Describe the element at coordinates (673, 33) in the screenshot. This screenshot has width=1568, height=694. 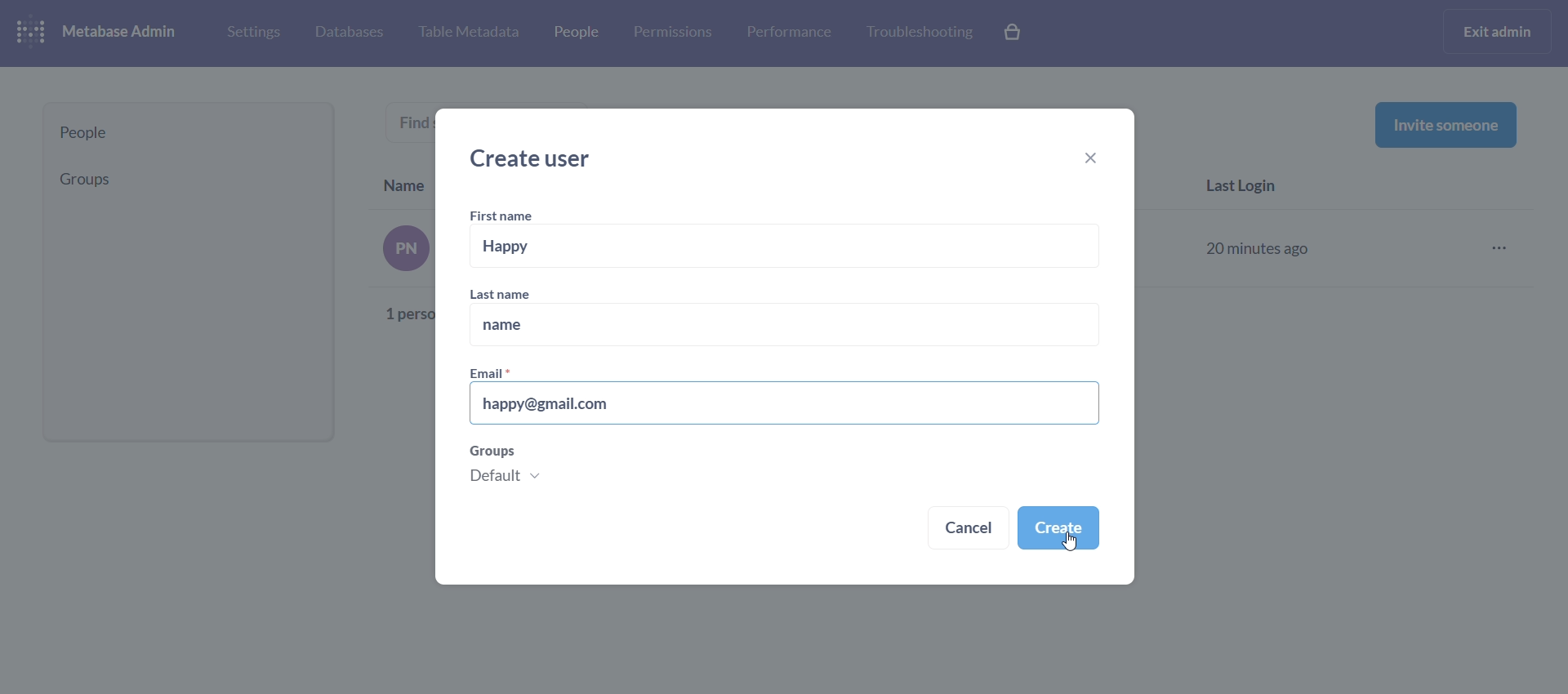
I see `permissions` at that location.